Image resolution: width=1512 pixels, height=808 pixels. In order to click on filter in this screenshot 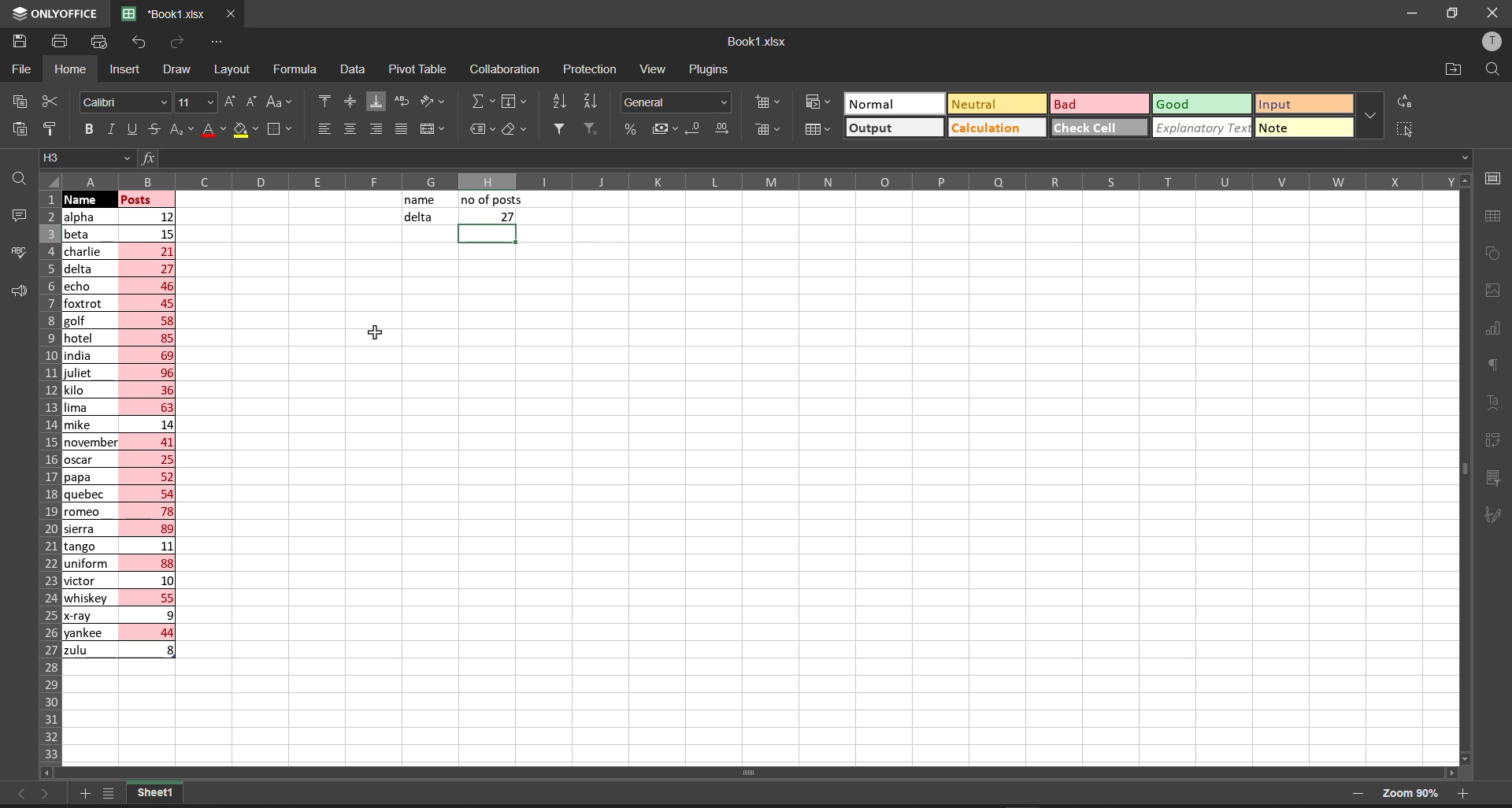, I will do `click(558, 128)`.